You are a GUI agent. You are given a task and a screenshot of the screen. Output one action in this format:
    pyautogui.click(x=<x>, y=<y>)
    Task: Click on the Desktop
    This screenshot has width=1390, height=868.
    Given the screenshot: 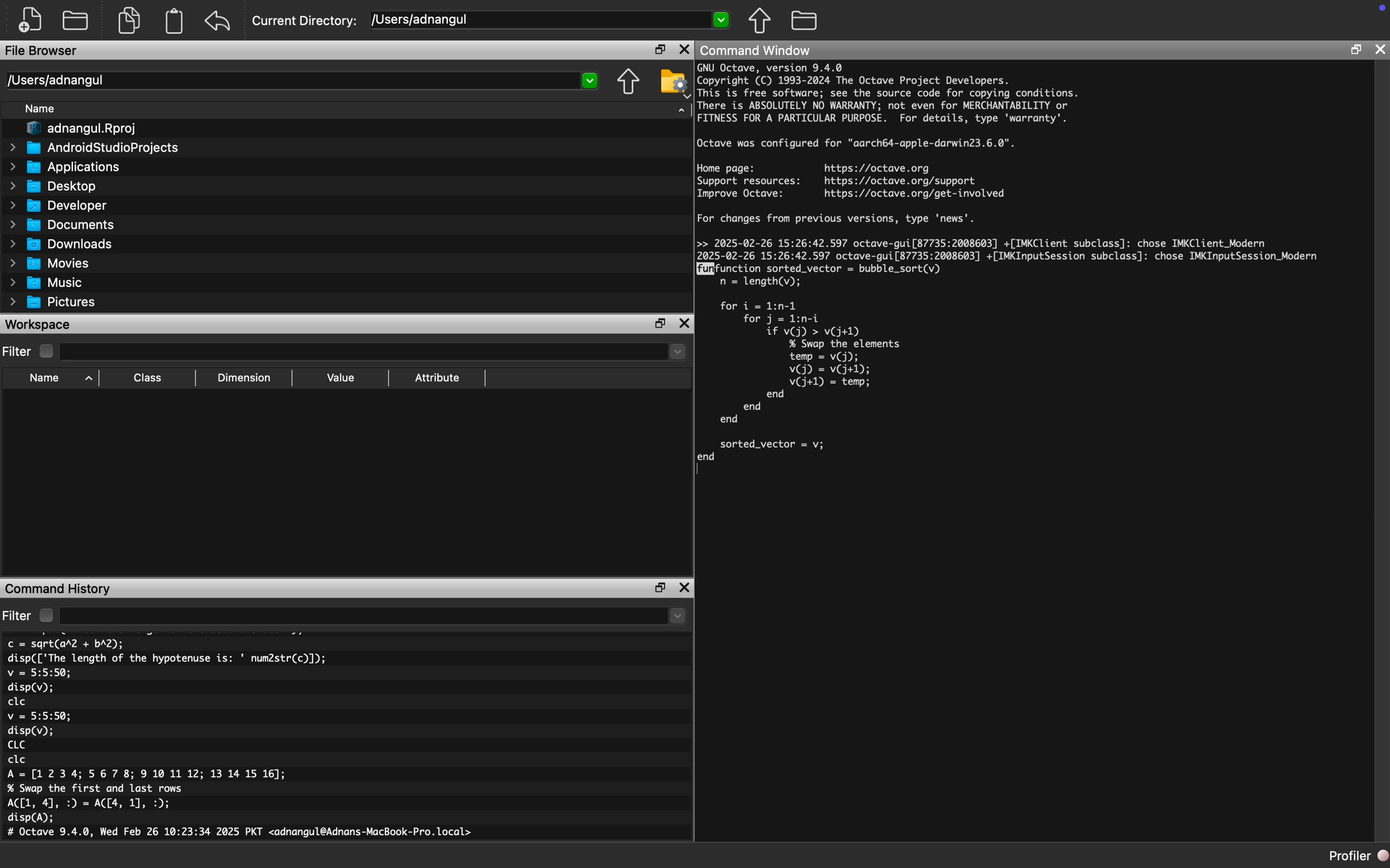 What is the action you would take?
    pyautogui.click(x=53, y=186)
    